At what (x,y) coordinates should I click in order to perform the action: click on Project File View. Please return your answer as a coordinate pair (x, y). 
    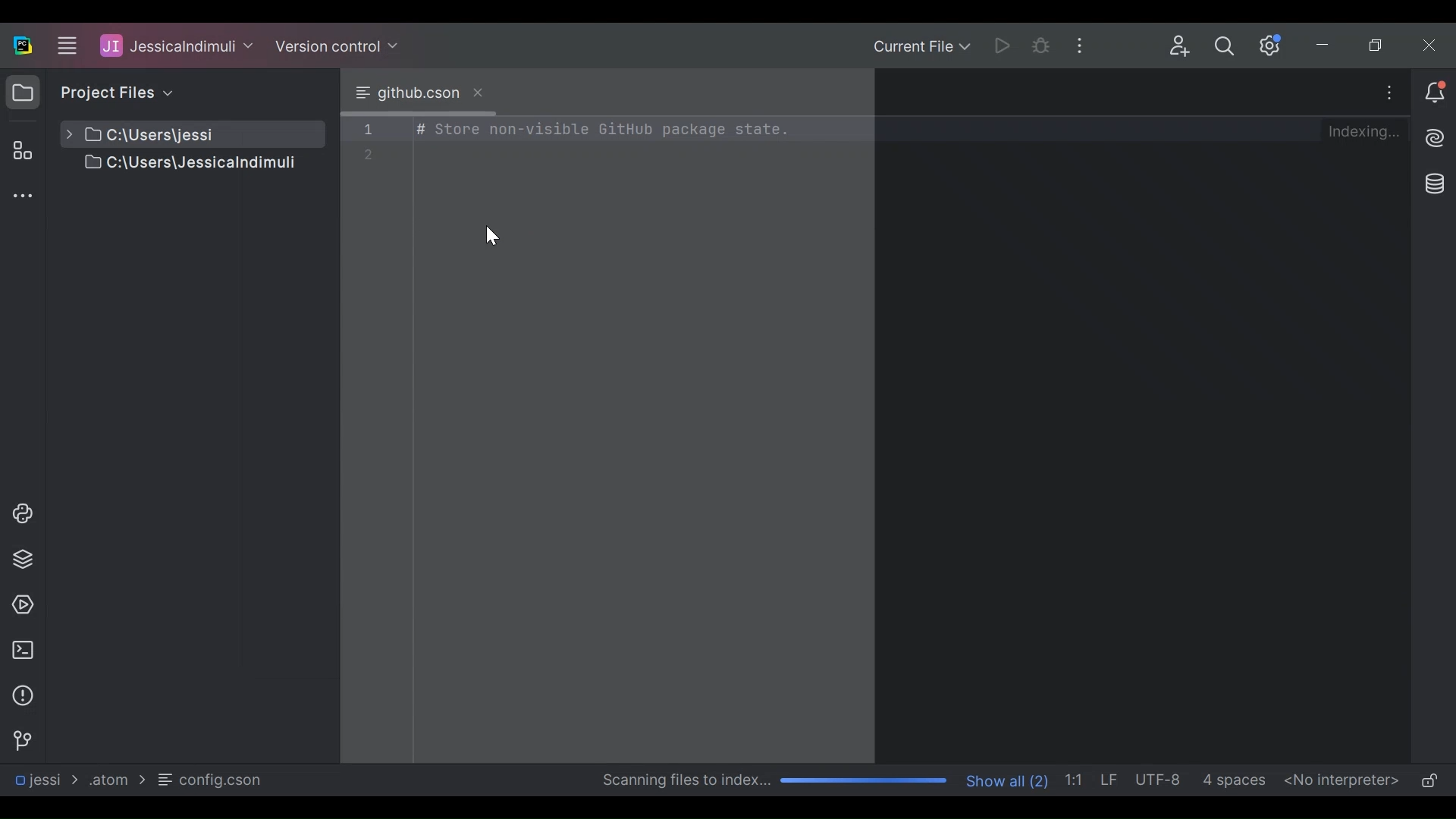
    Looking at the image, I should click on (114, 92).